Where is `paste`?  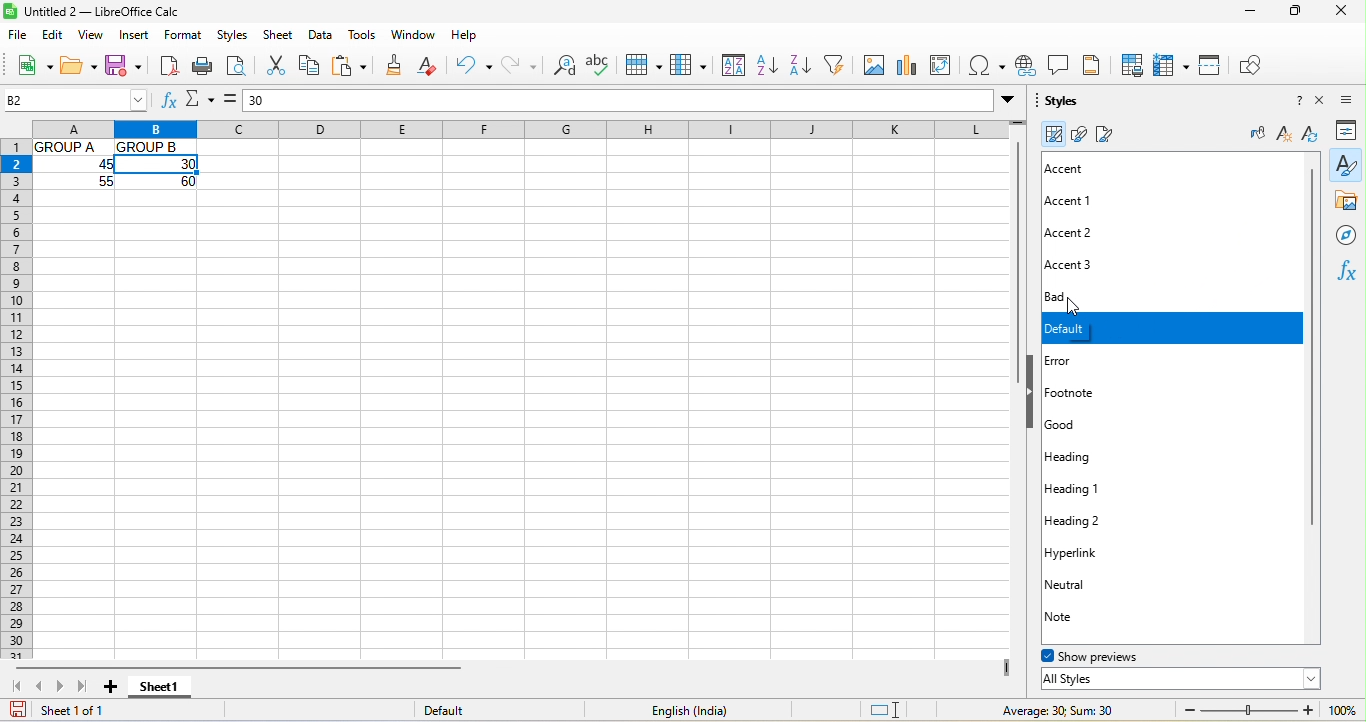 paste is located at coordinates (353, 67).